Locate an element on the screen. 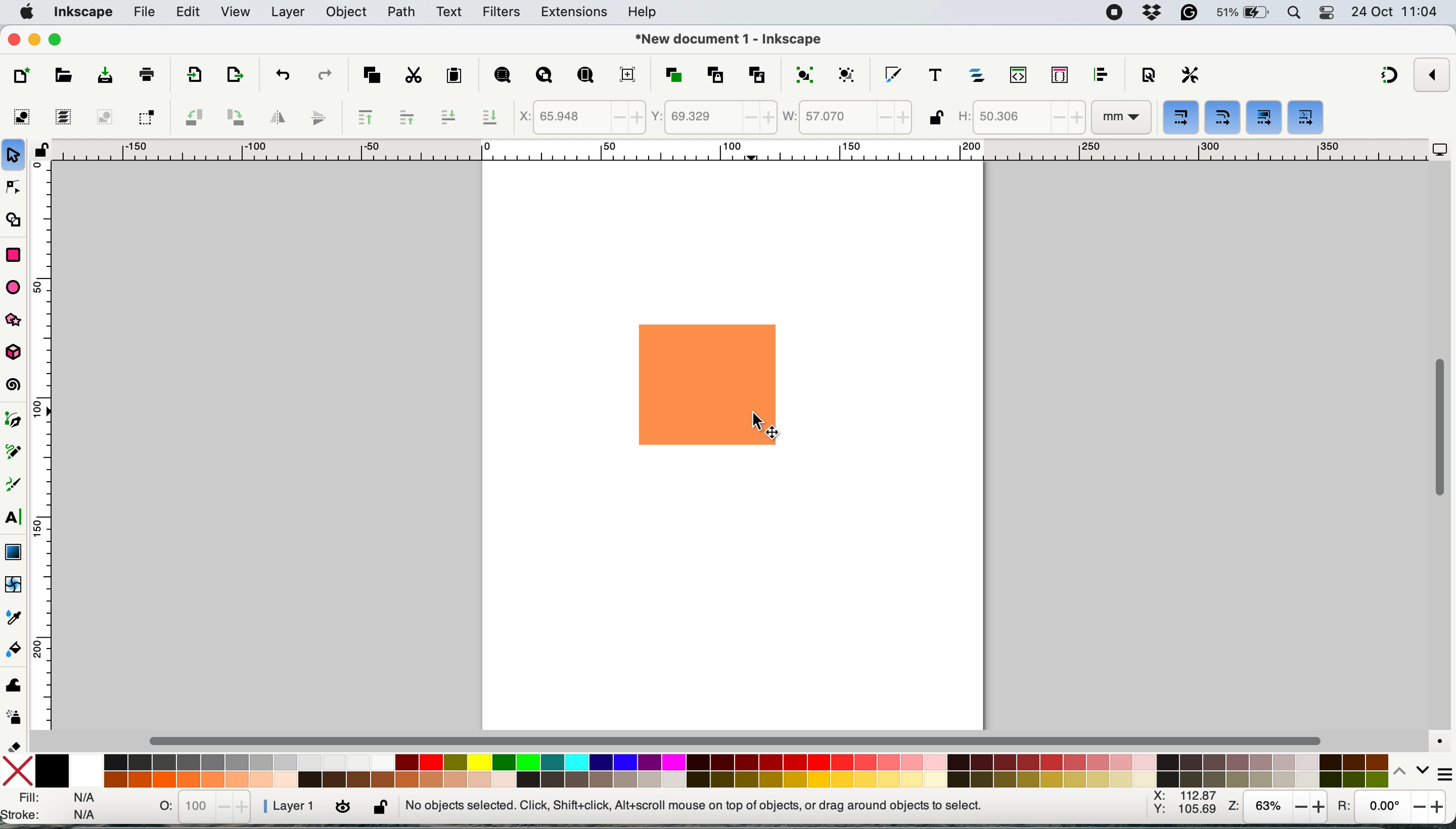 This screenshot has height=829, width=1456. import is located at coordinates (191, 76).